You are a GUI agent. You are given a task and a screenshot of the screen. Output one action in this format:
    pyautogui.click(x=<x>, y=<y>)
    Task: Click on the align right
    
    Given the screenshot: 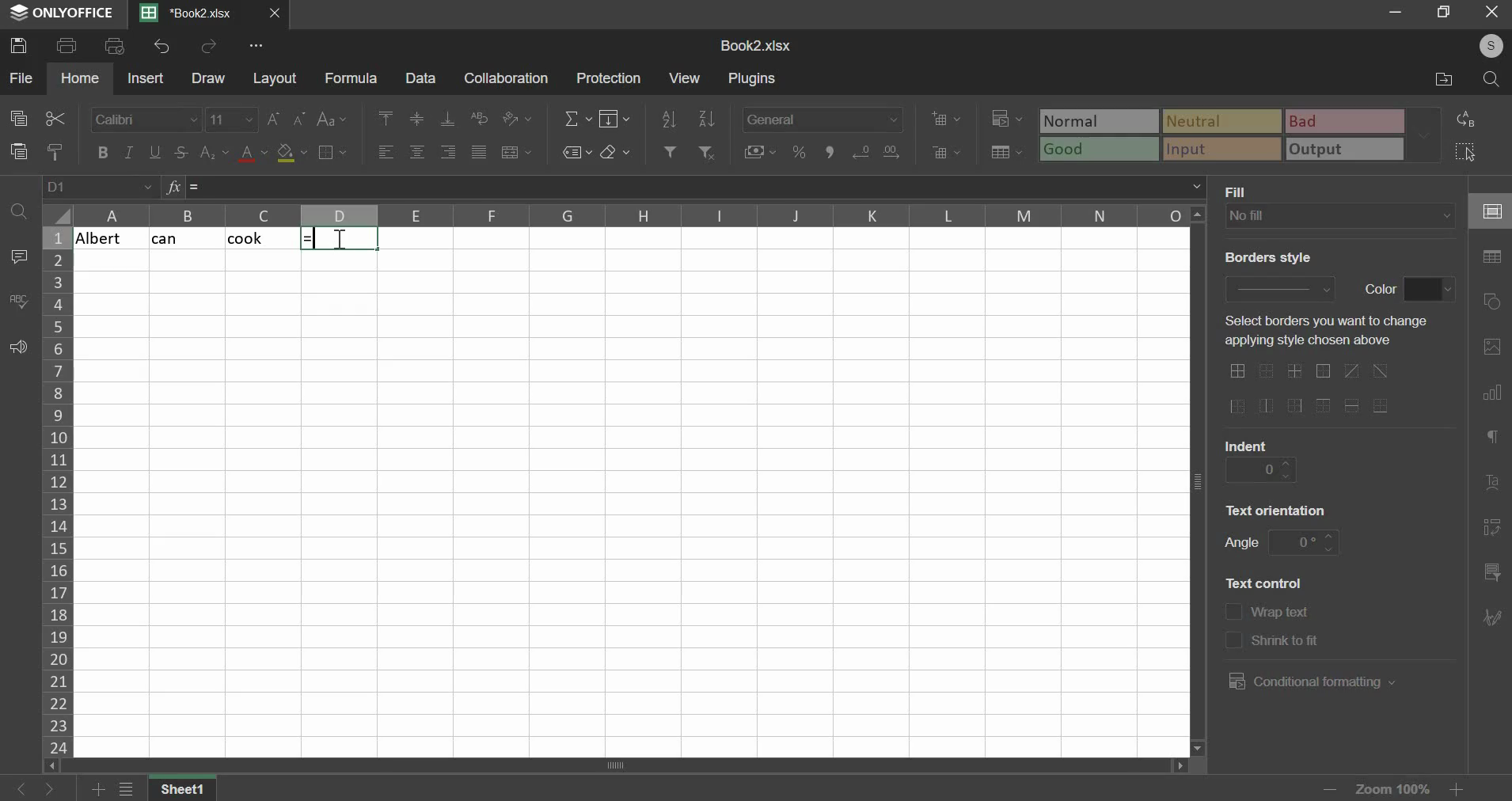 What is the action you would take?
    pyautogui.click(x=449, y=152)
    